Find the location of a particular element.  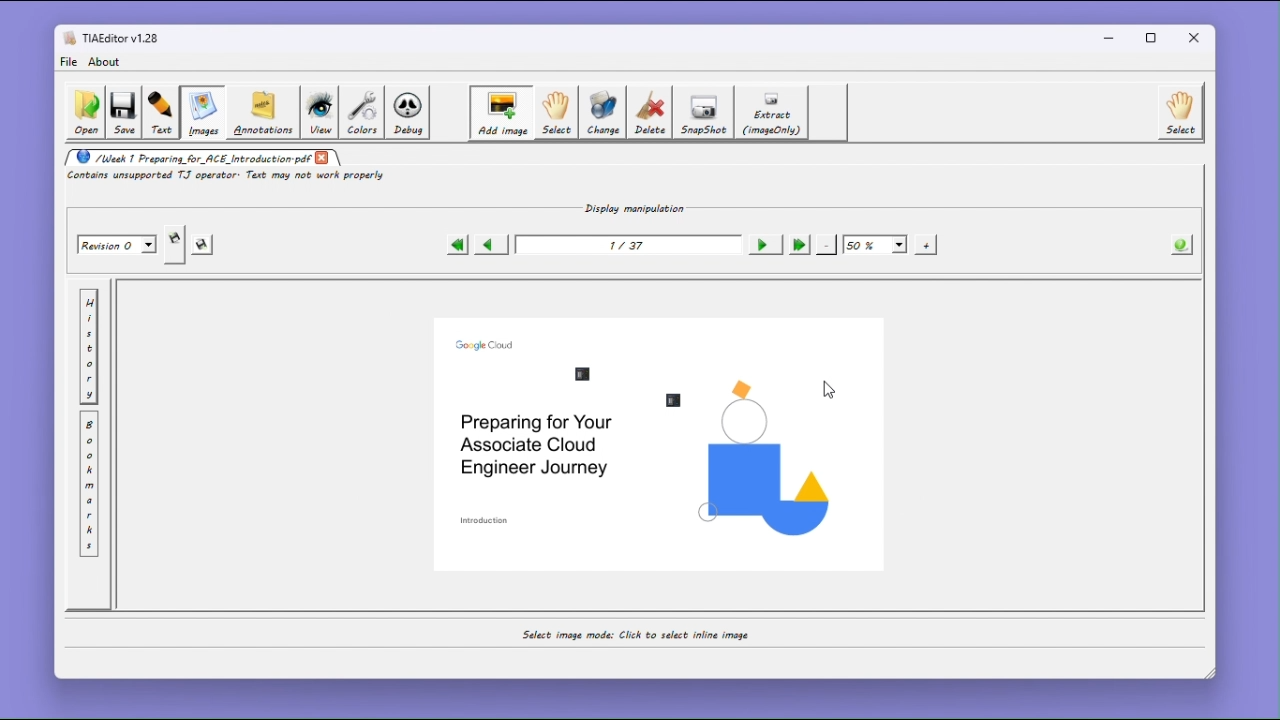

colors  is located at coordinates (362, 112).